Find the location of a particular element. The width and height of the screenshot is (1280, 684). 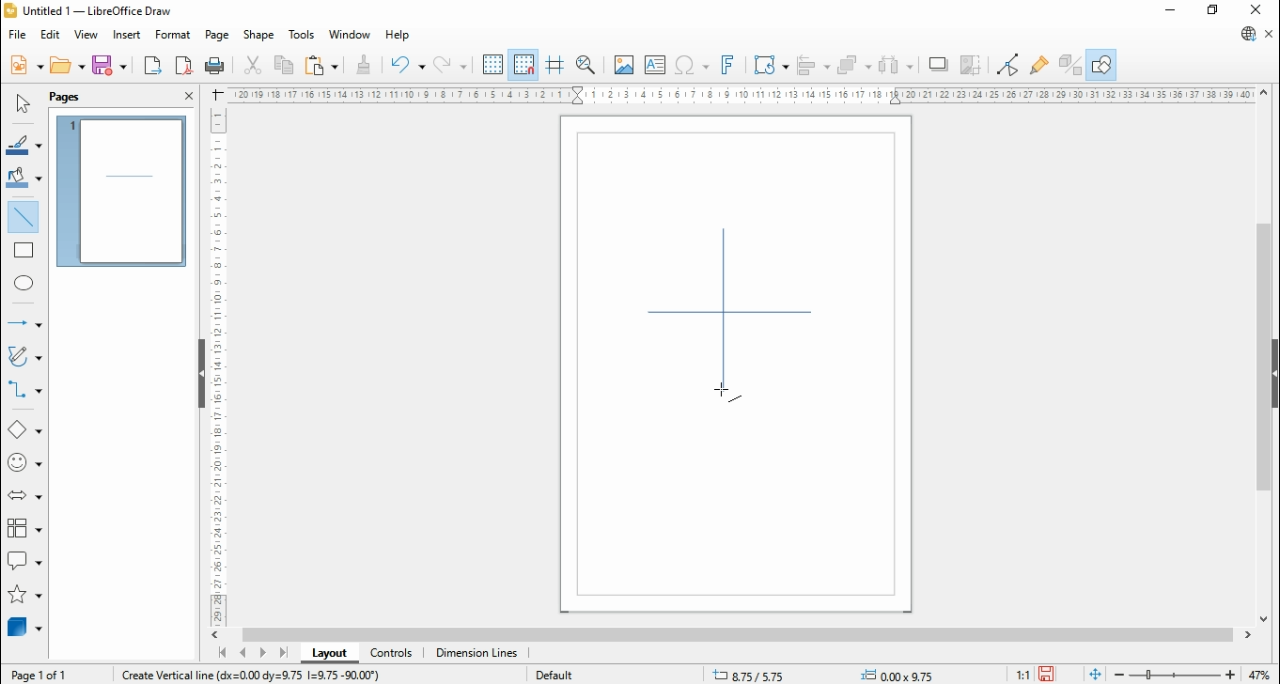

undo is located at coordinates (406, 64).